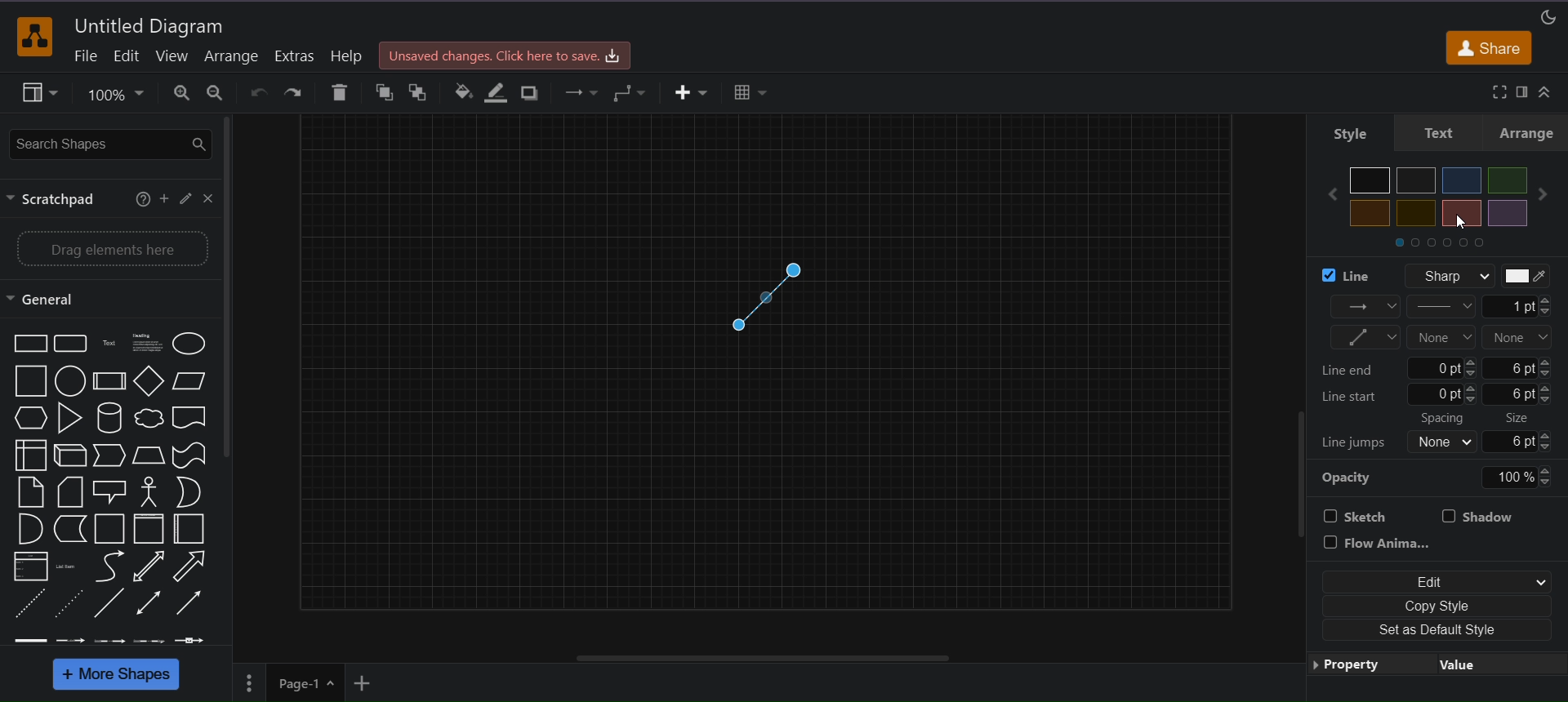 This screenshot has width=1568, height=702. Describe the element at coordinates (1433, 608) in the screenshot. I see `copy style` at that location.